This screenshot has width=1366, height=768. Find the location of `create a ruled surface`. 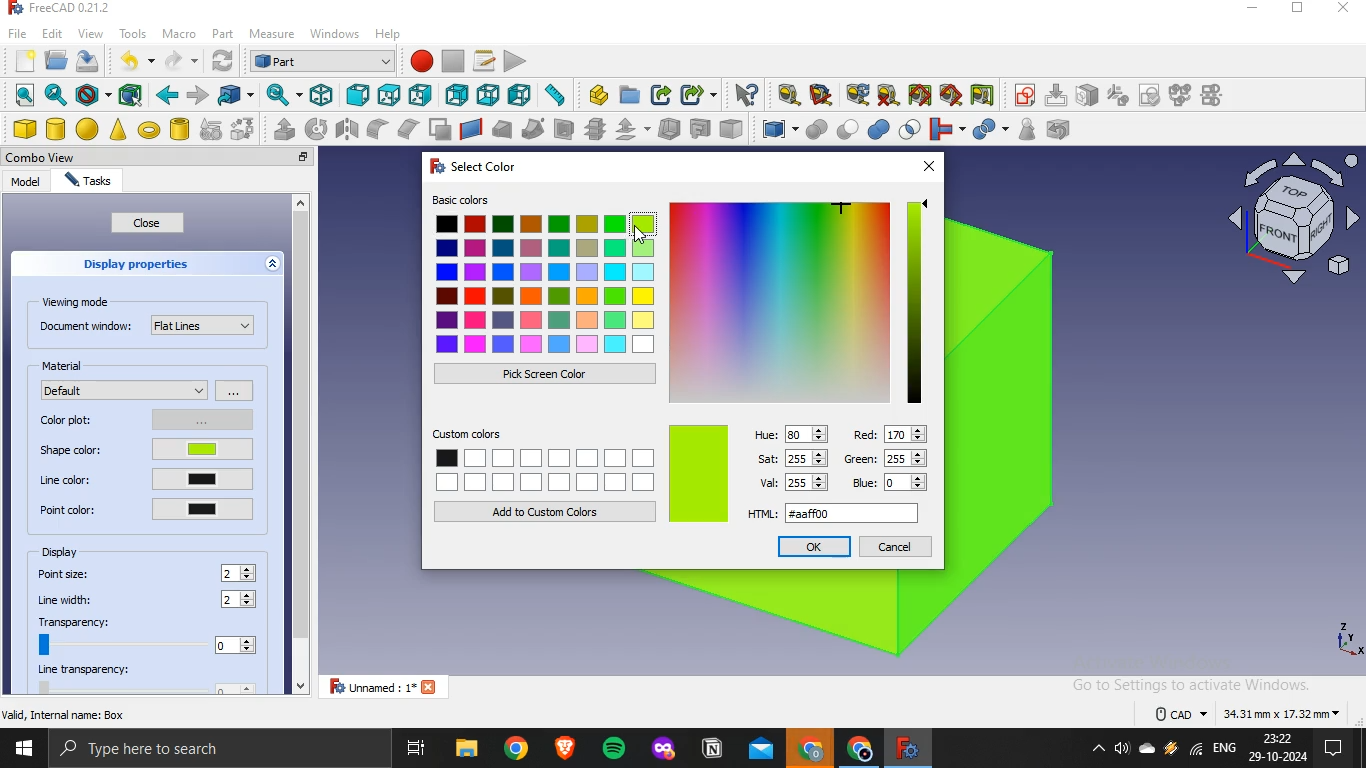

create a ruled surface is located at coordinates (471, 128).